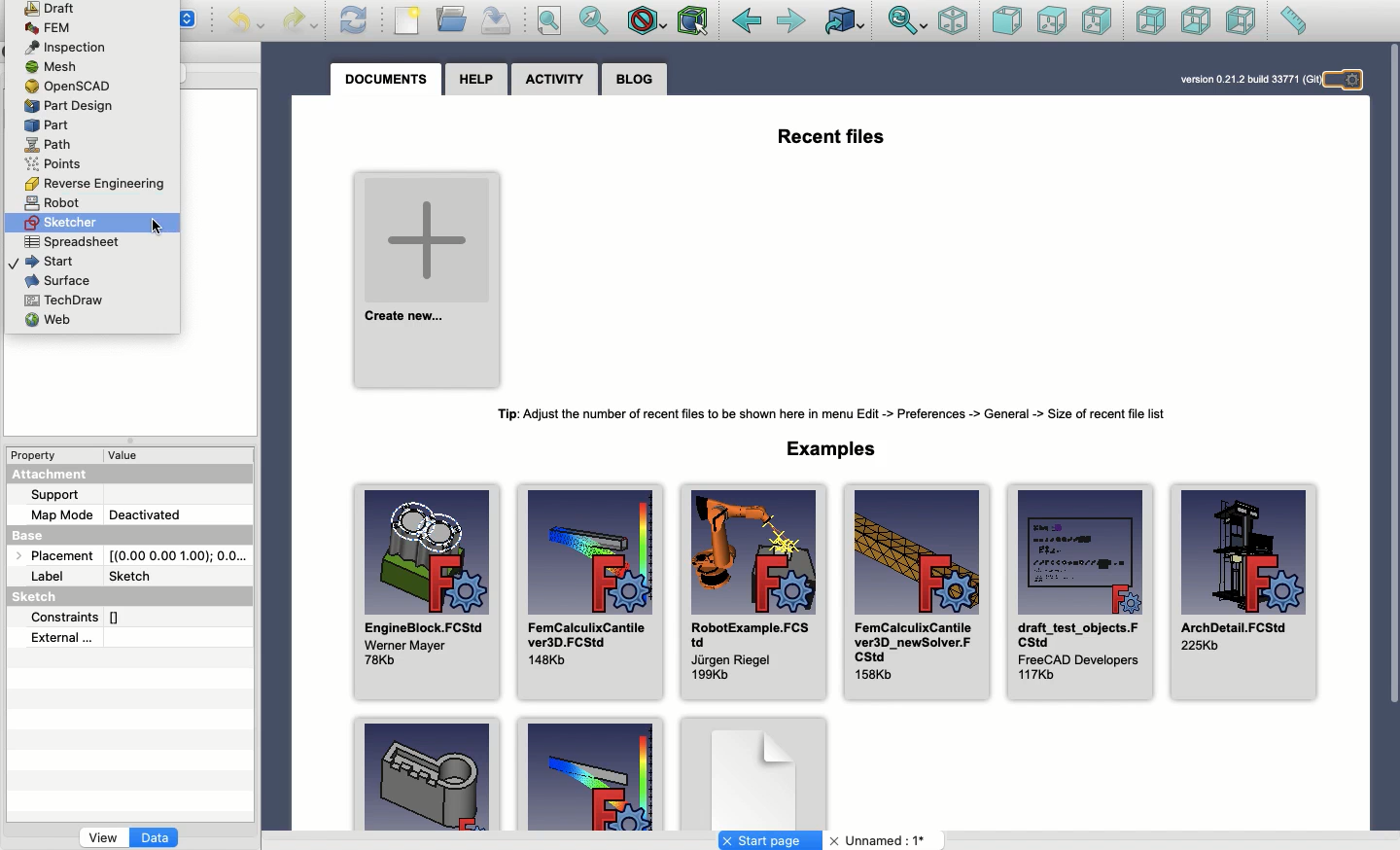  Describe the element at coordinates (103, 839) in the screenshot. I see `View` at that location.